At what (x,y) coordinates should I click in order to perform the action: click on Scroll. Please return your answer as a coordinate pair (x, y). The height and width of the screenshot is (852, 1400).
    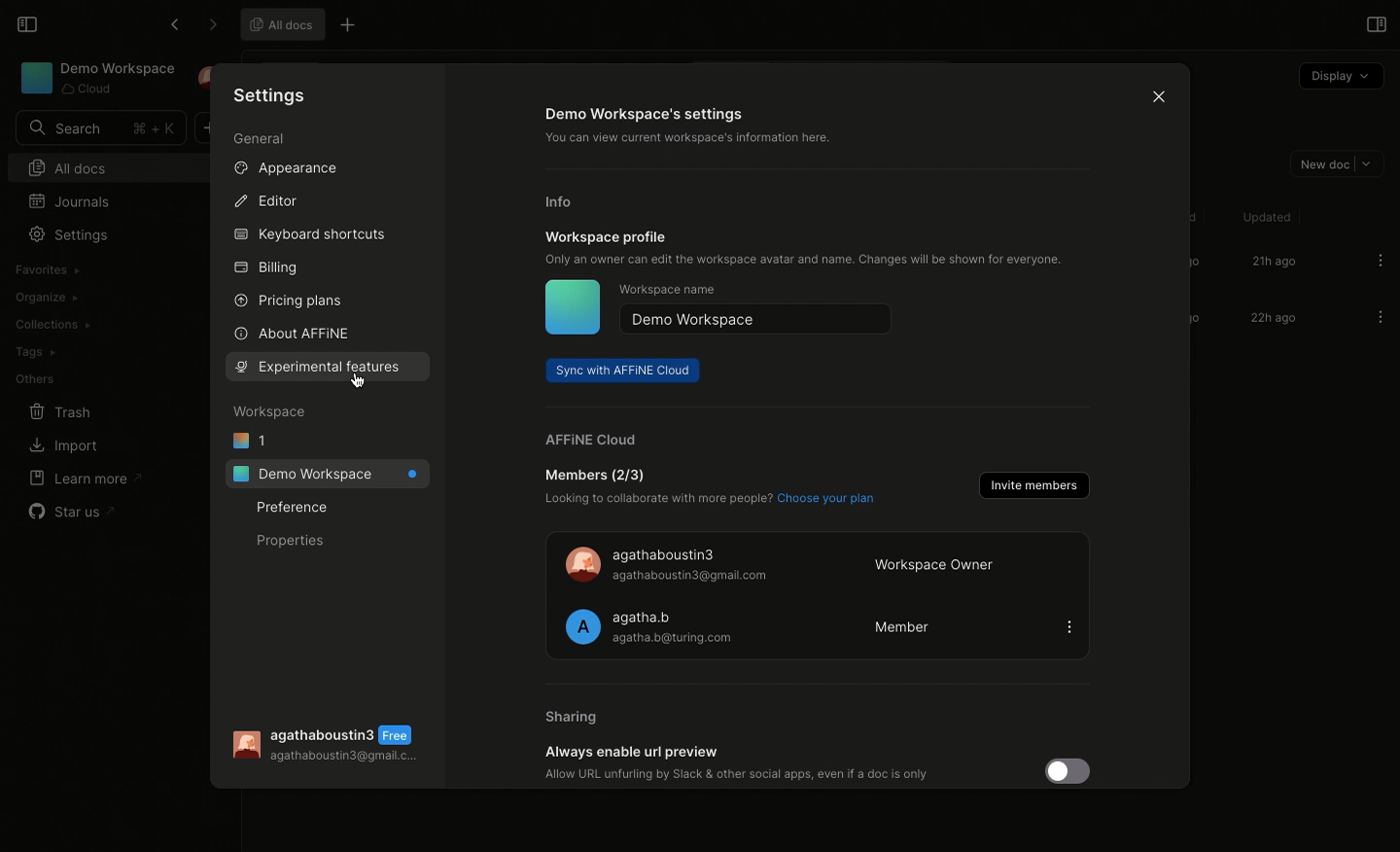
    Looking at the image, I should click on (1184, 319).